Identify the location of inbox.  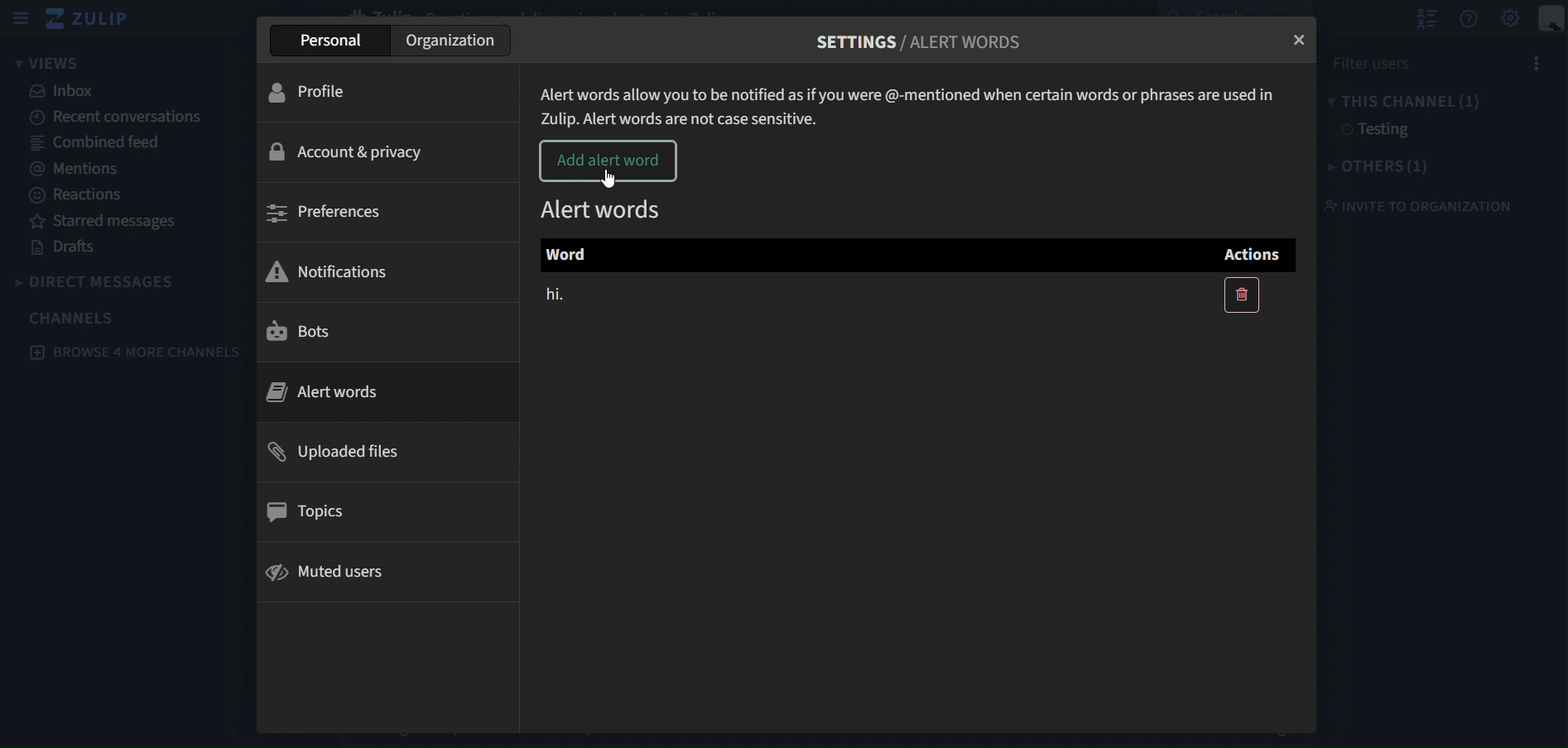
(64, 93).